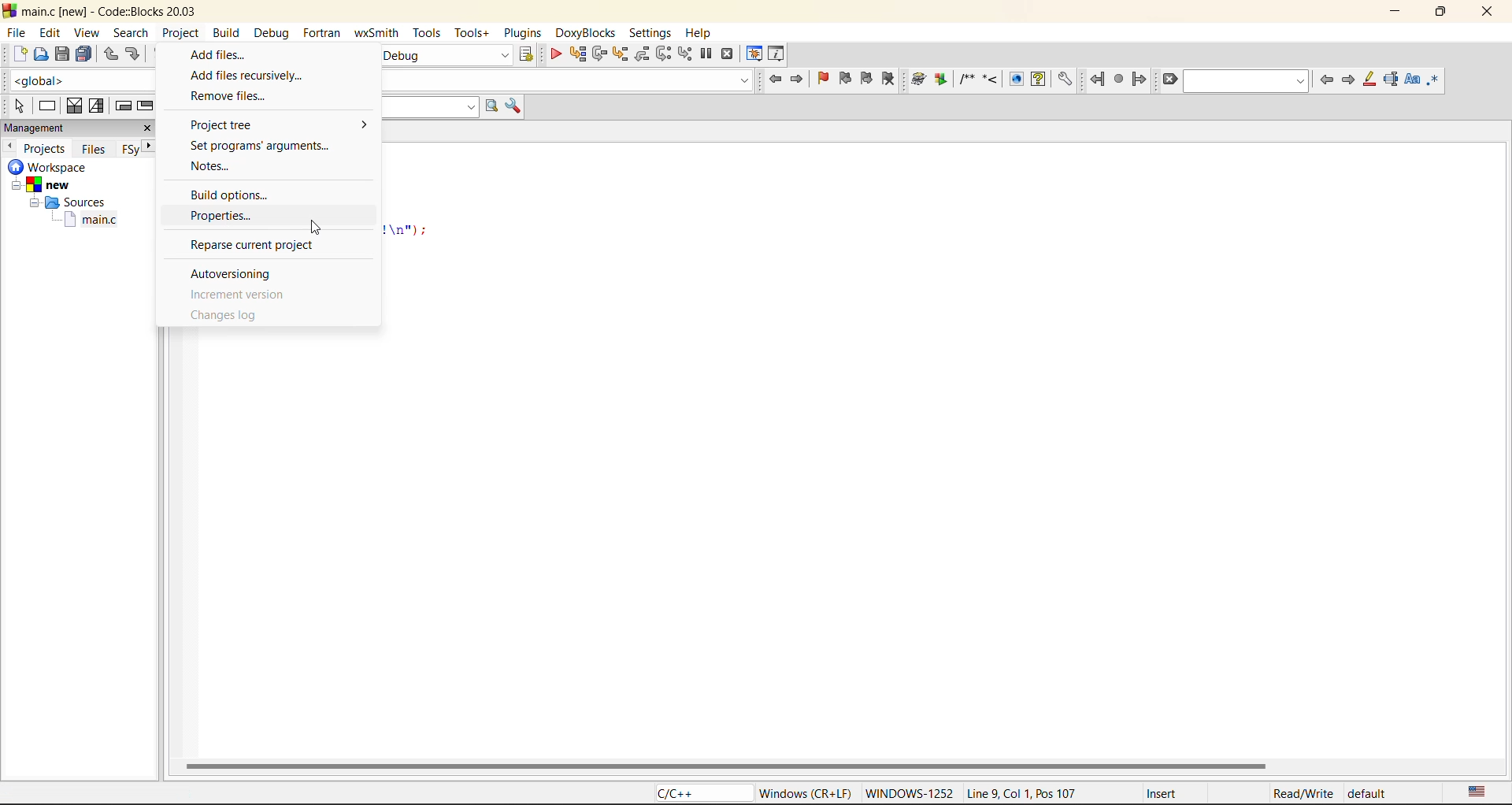 Image resolution: width=1512 pixels, height=805 pixels. I want to click on management, so click(52, 127).